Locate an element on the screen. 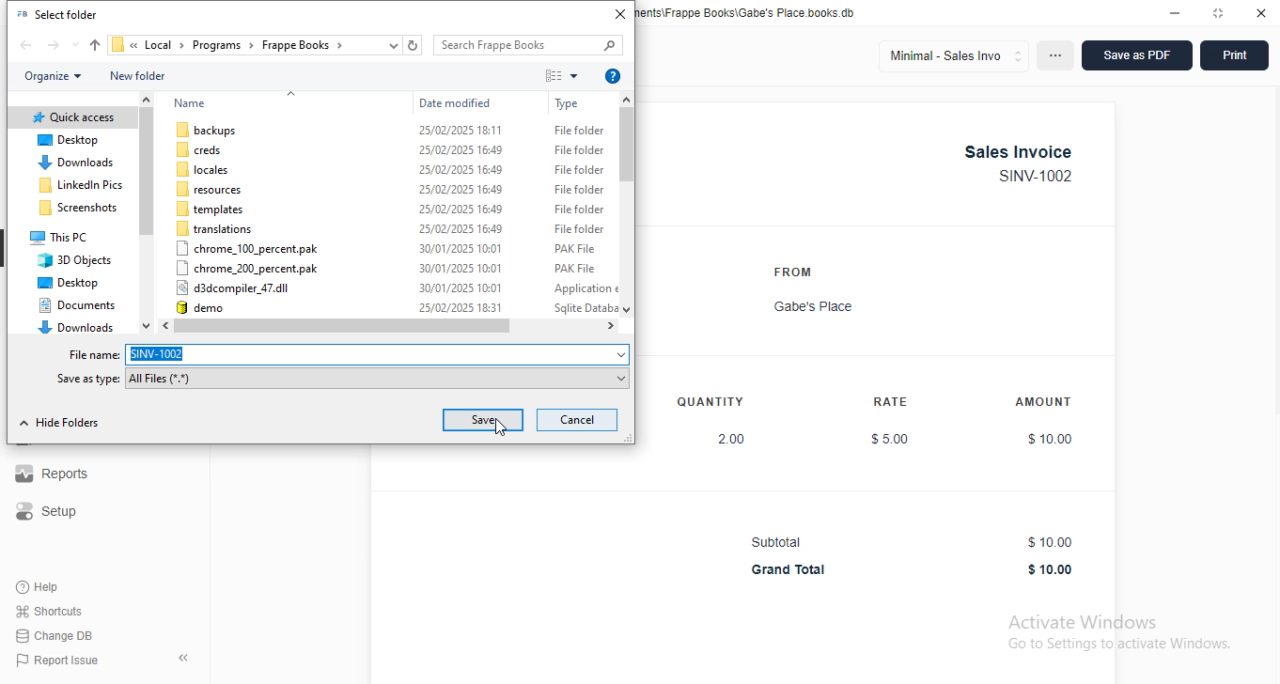  d3dcompiler_47.dll is located at coordinates (233, 287).